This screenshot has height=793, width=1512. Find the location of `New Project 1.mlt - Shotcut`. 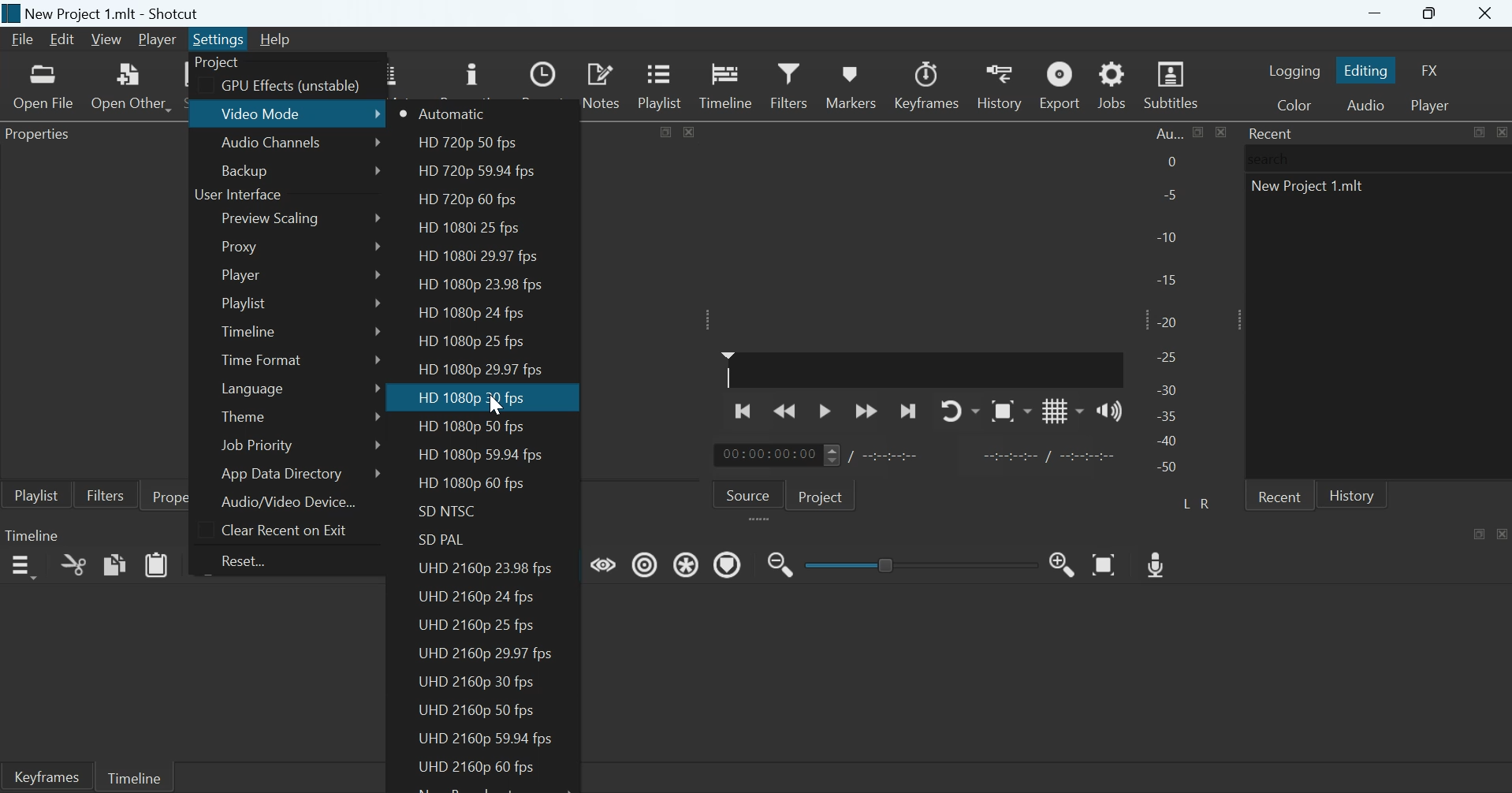

New Project 1.mlt - Shotcut is located at coordinates (114, 13).